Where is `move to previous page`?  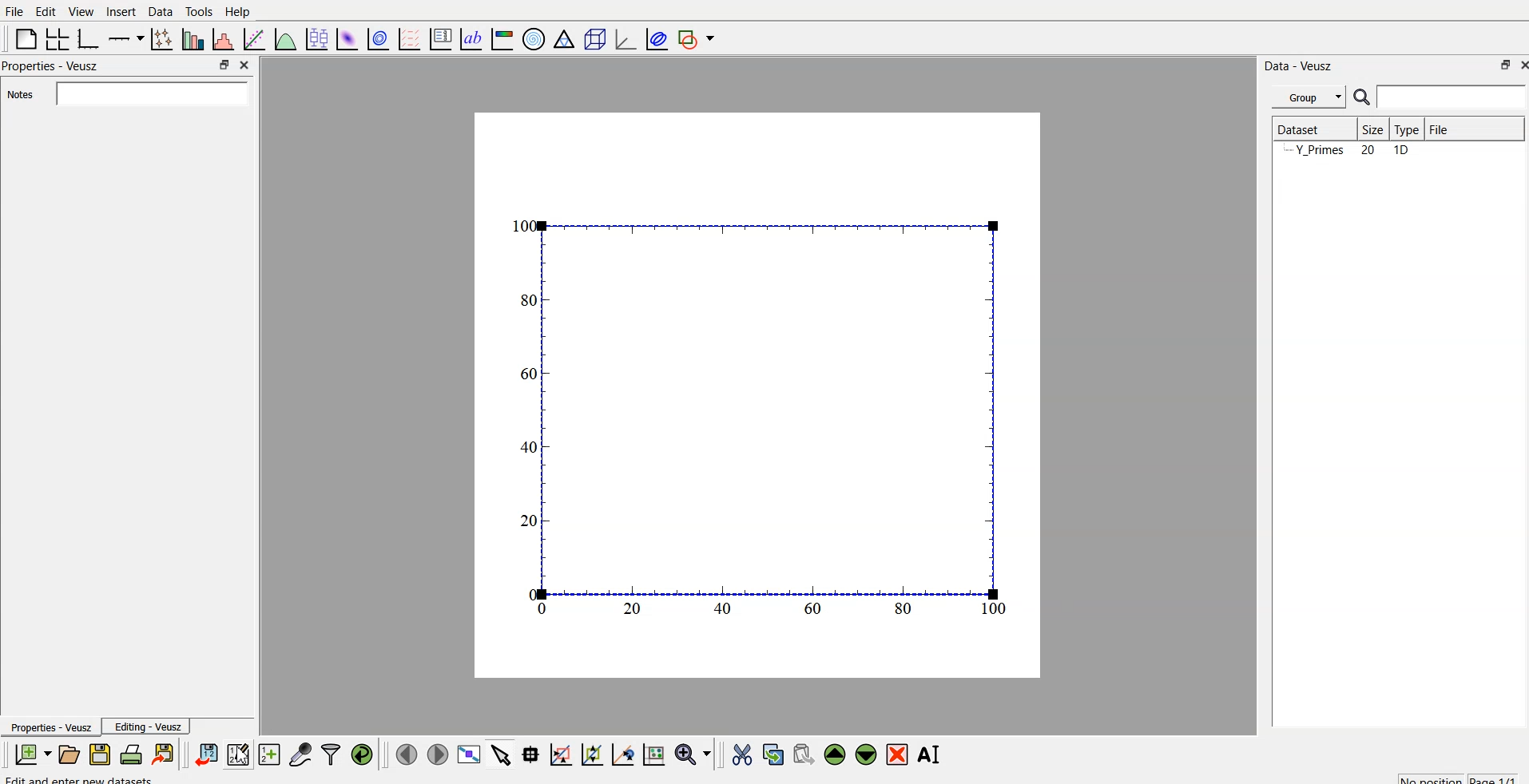
move to previous page is located at coordinates (404, 754).